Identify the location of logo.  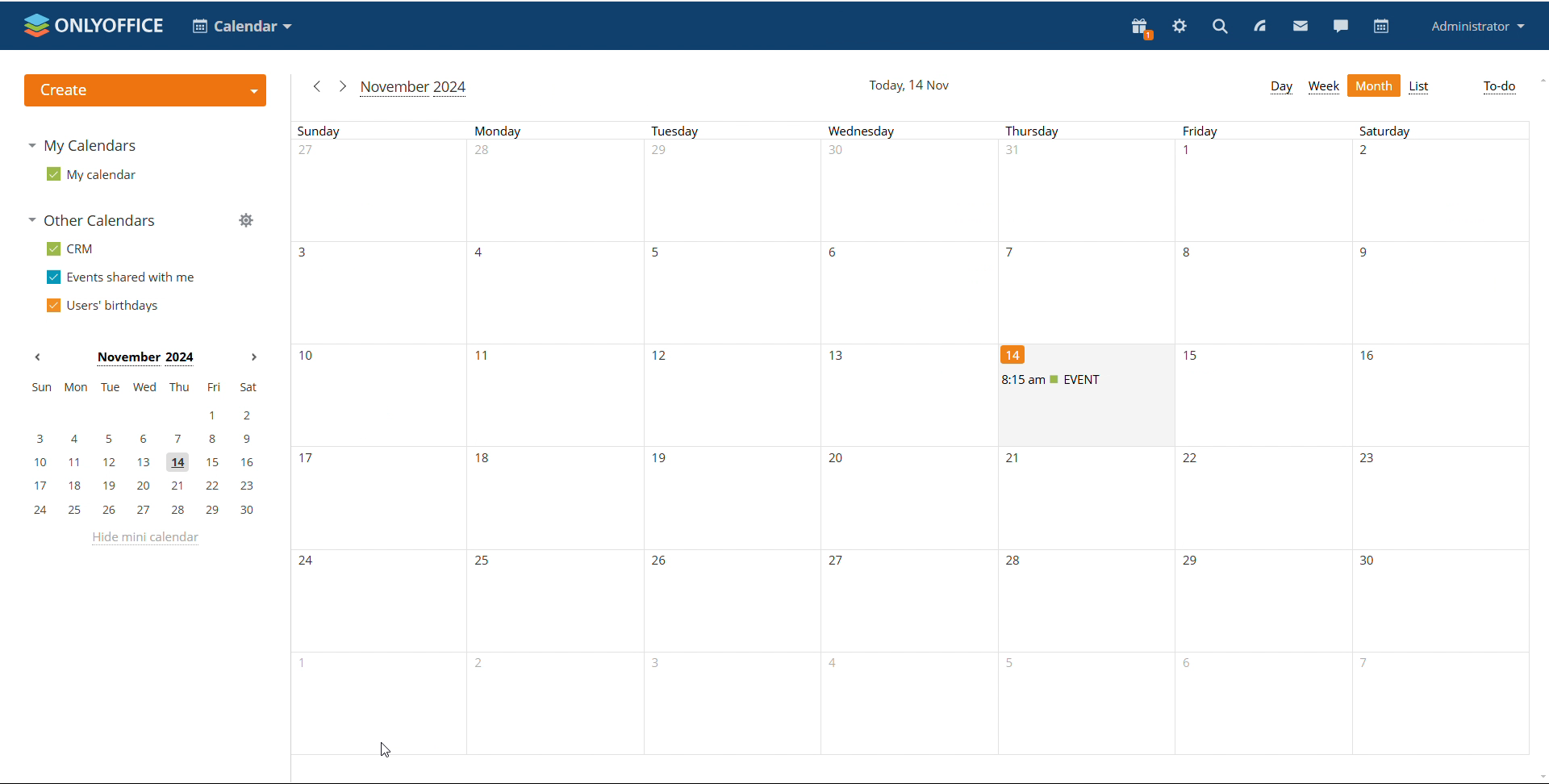
(94, 25).